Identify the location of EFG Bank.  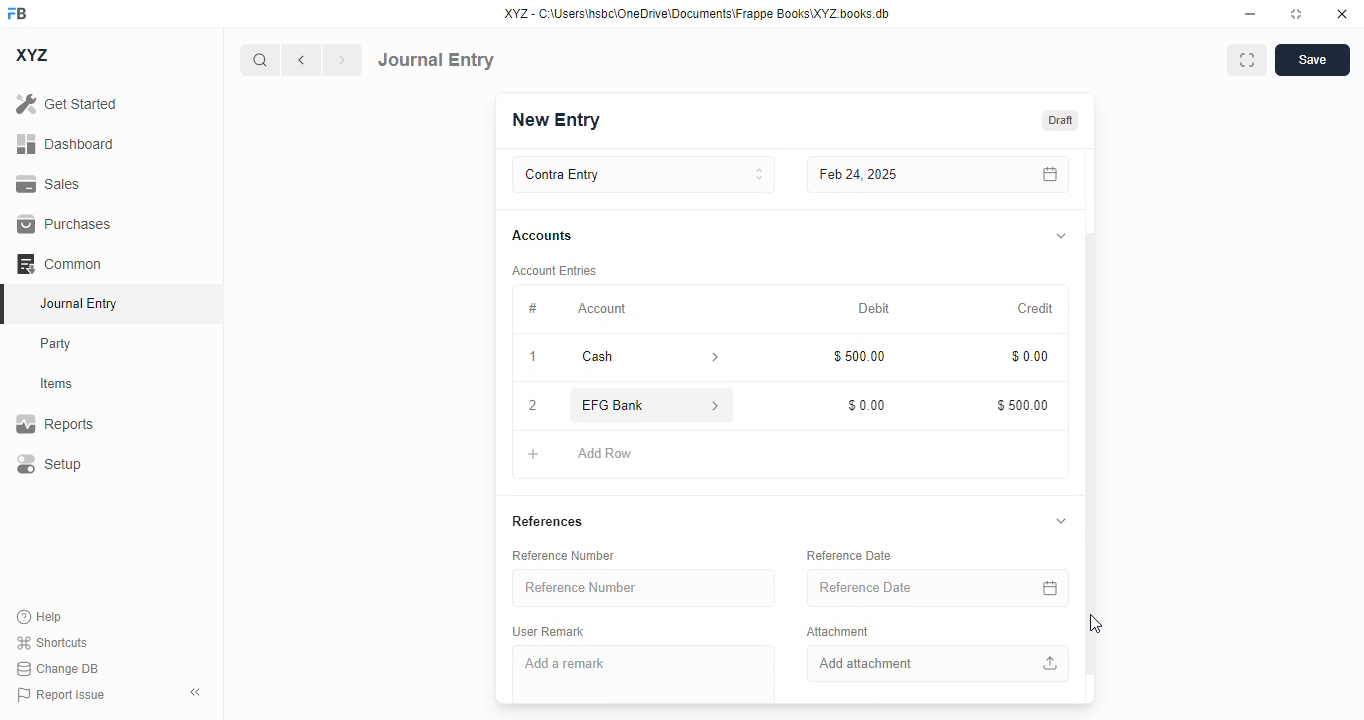
(620, 405).